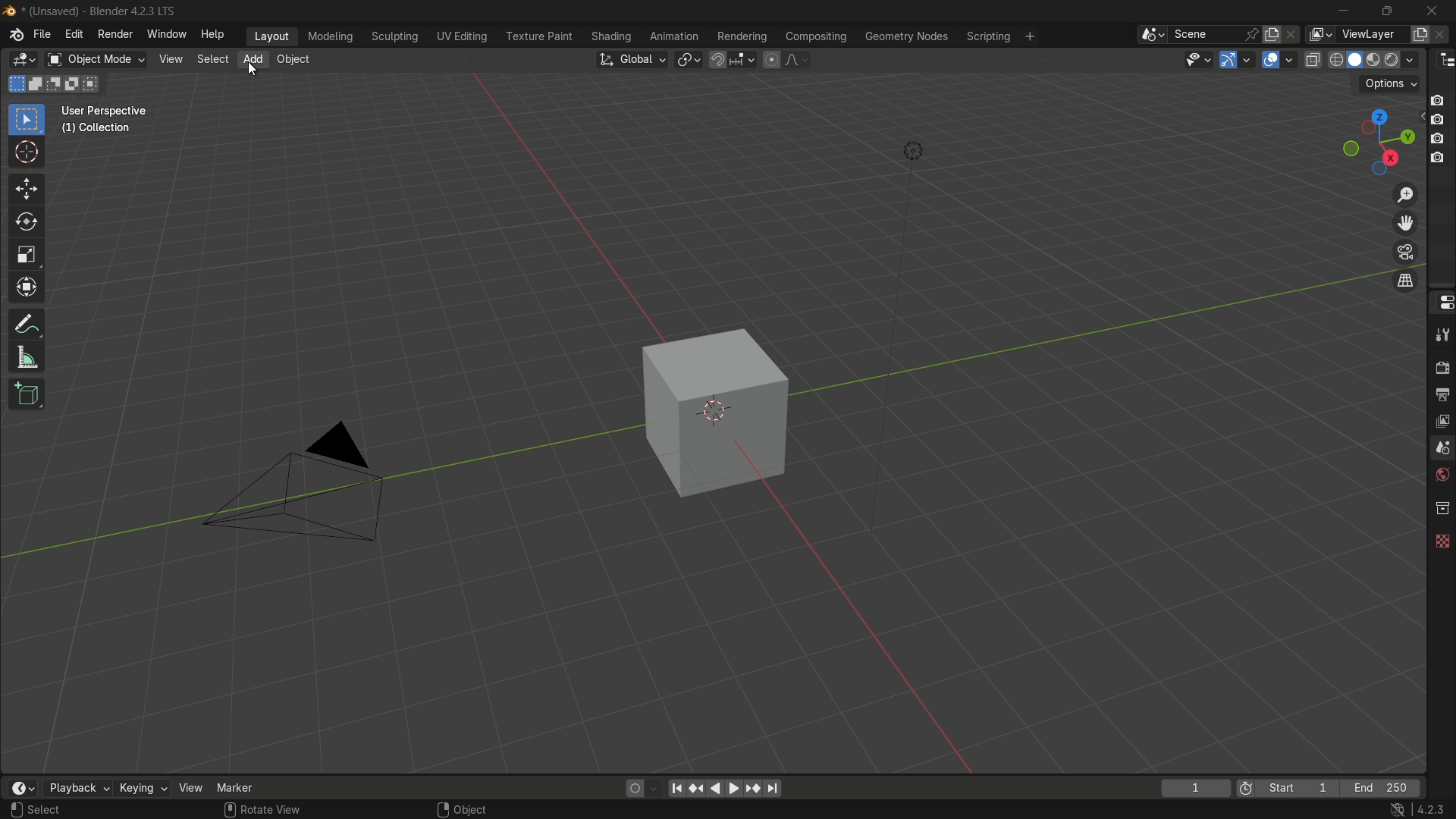  What do you see at coordinates (295, 60) in the screenshot?
I see `object menu` at bounding box center [295, 60].